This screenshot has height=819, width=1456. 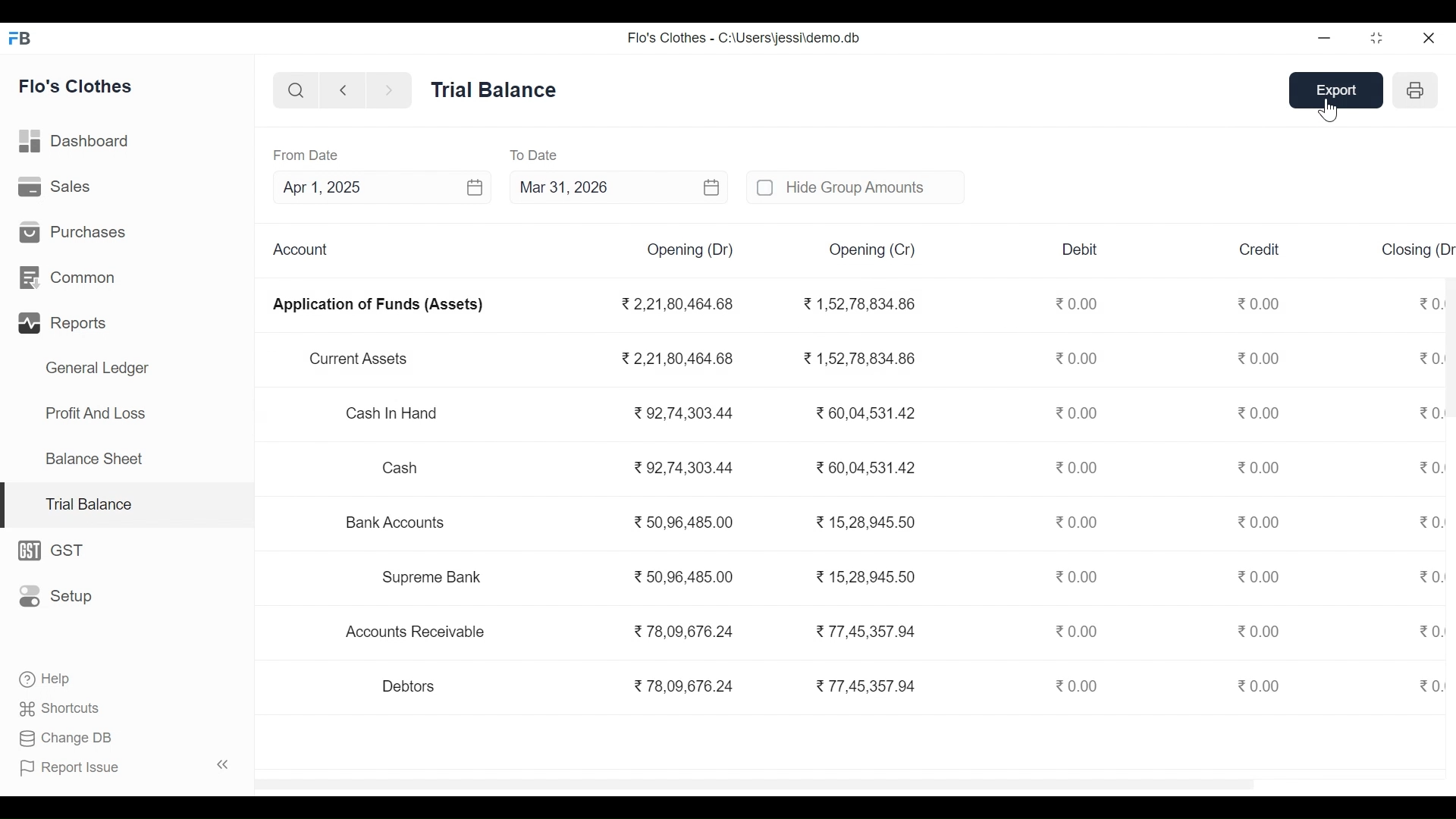 I want to click on Sales, so click(x=58, y=187).